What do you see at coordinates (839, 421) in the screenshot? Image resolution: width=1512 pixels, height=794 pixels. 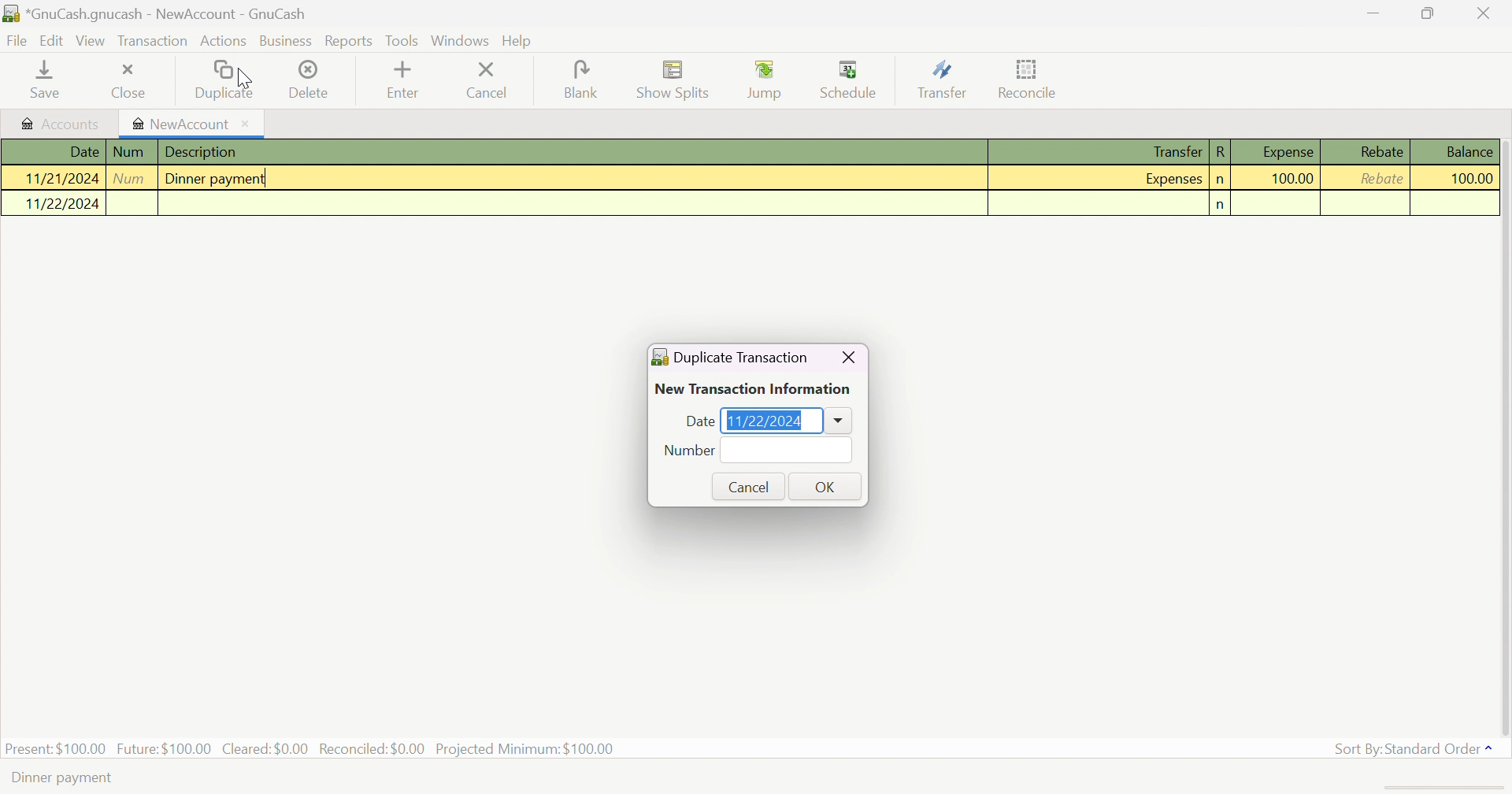 I see `Drop Down` at bounding box center [839, 421].